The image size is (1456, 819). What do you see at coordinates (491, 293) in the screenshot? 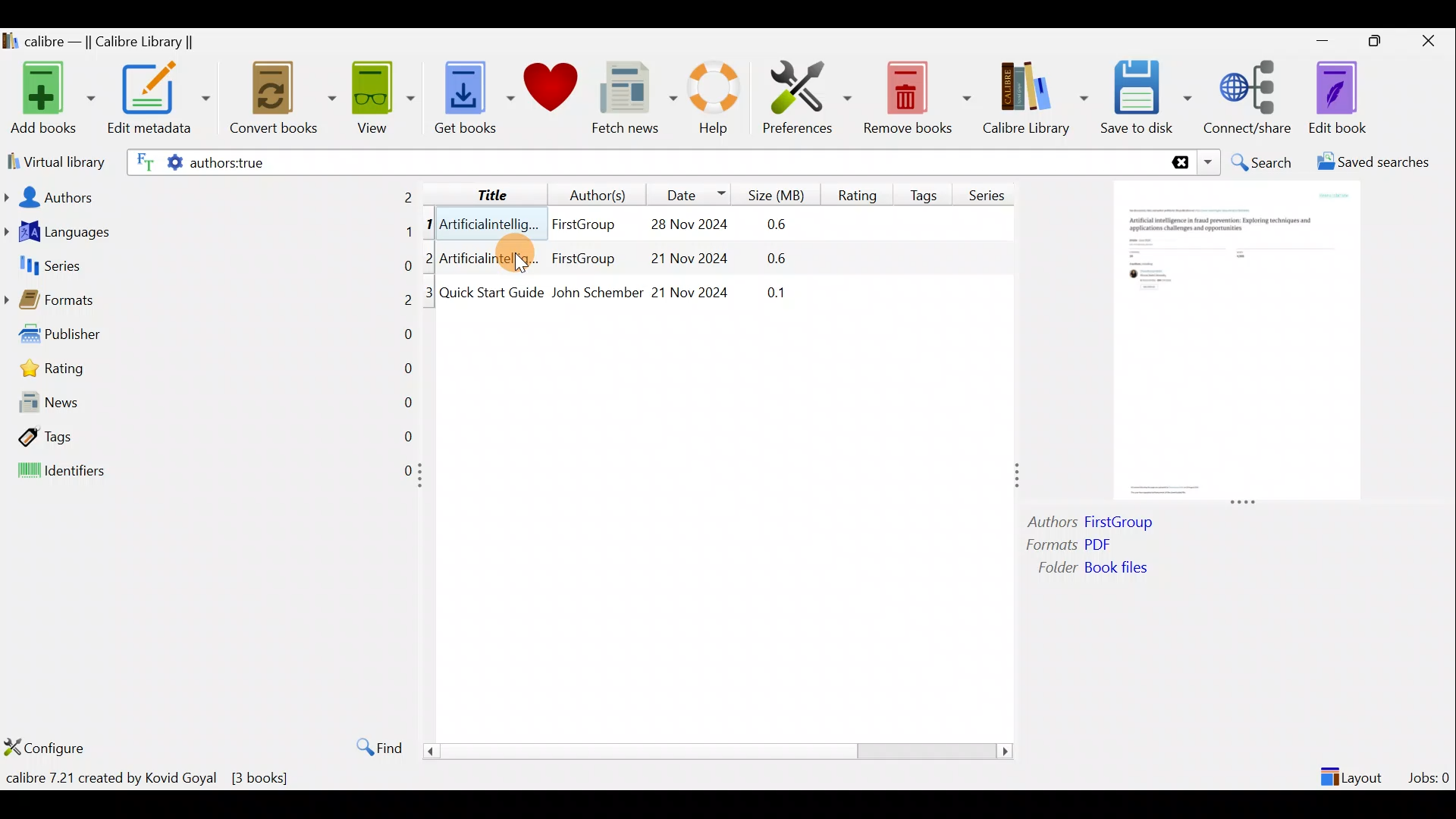
I see `Quick Start Guide` at bounding box center [491, 293].